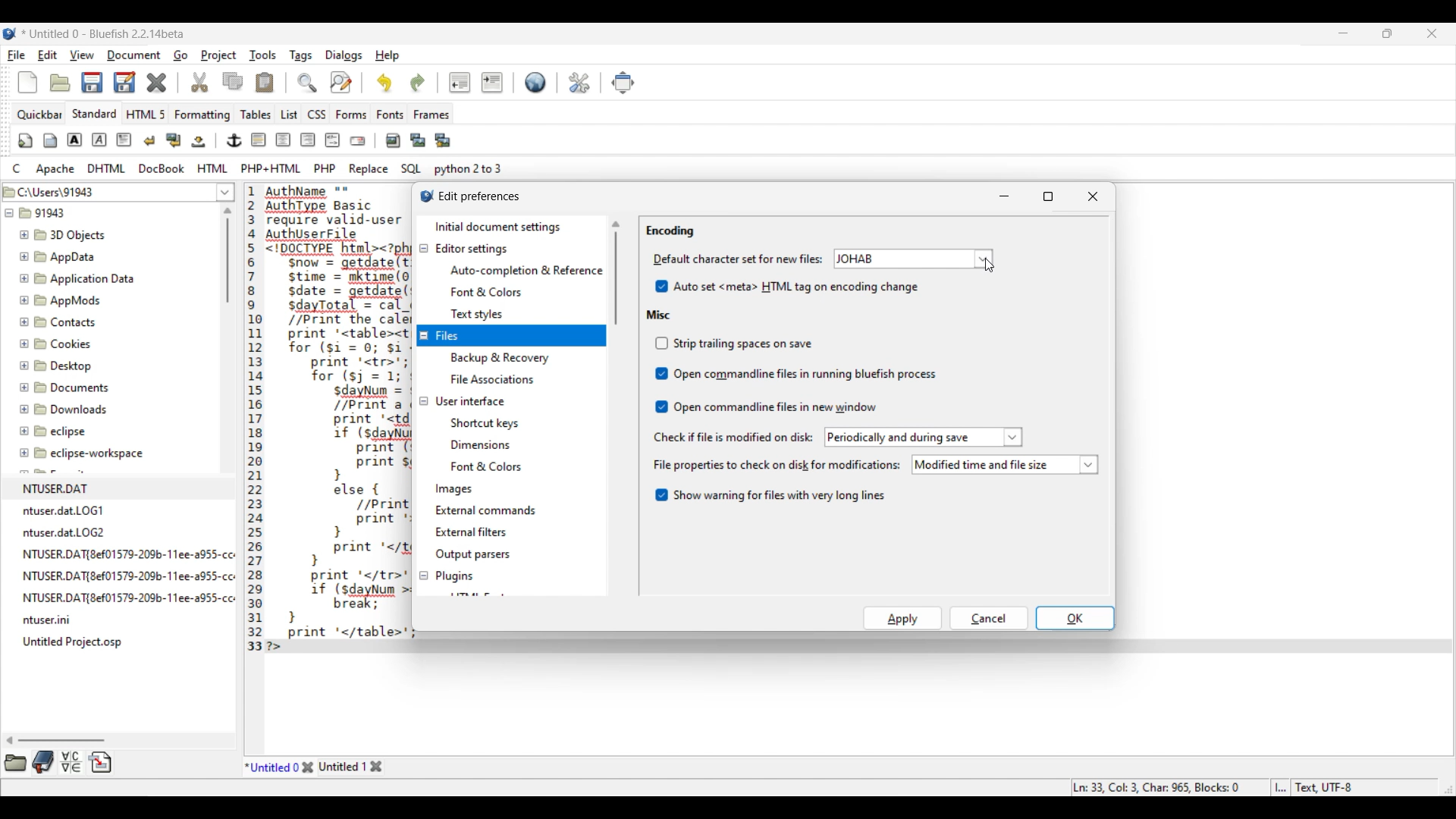 This screenshot has height=819, width=1456. What do you see at coordinates (455, 574) in the screenshot?
I see `Plugins` at bounding box center [455, 574].